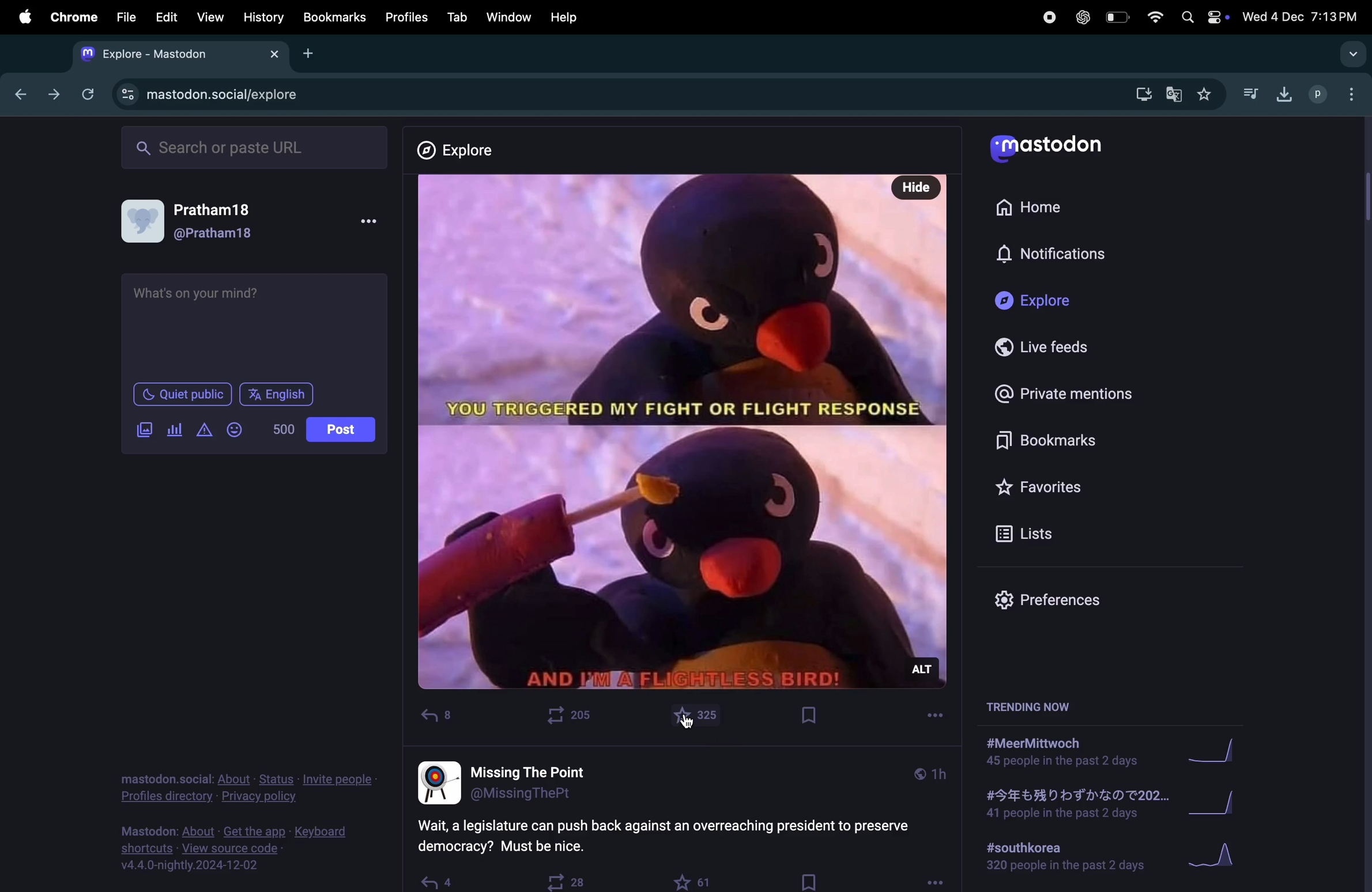  What do you see at coordinates (285, 426) in the screenshot?
I see `5000 words` at bounding box center [285, 426].